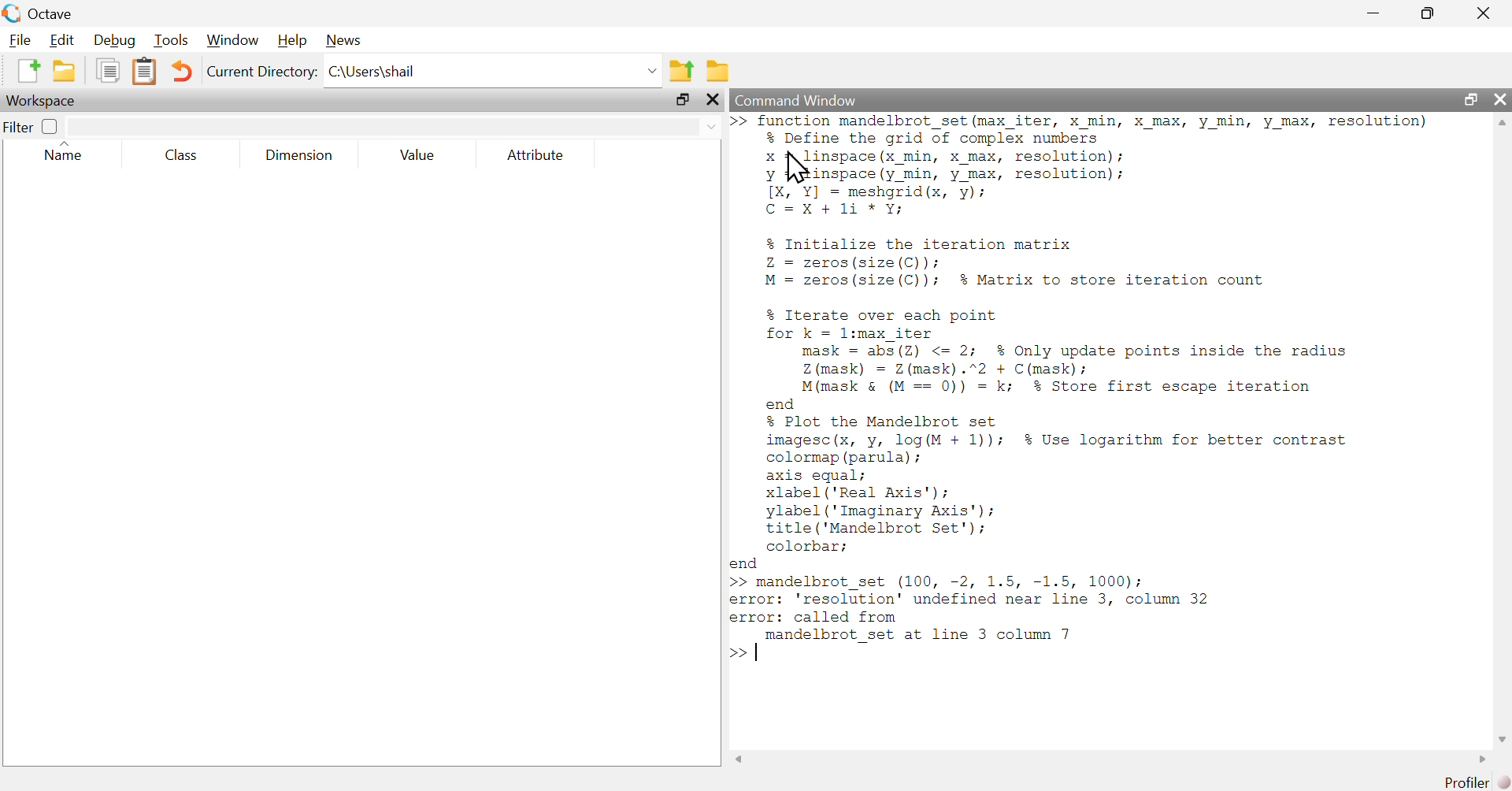 This screenshot has height=791, width=1512. I want to click on Cursor, so click(796, 168).